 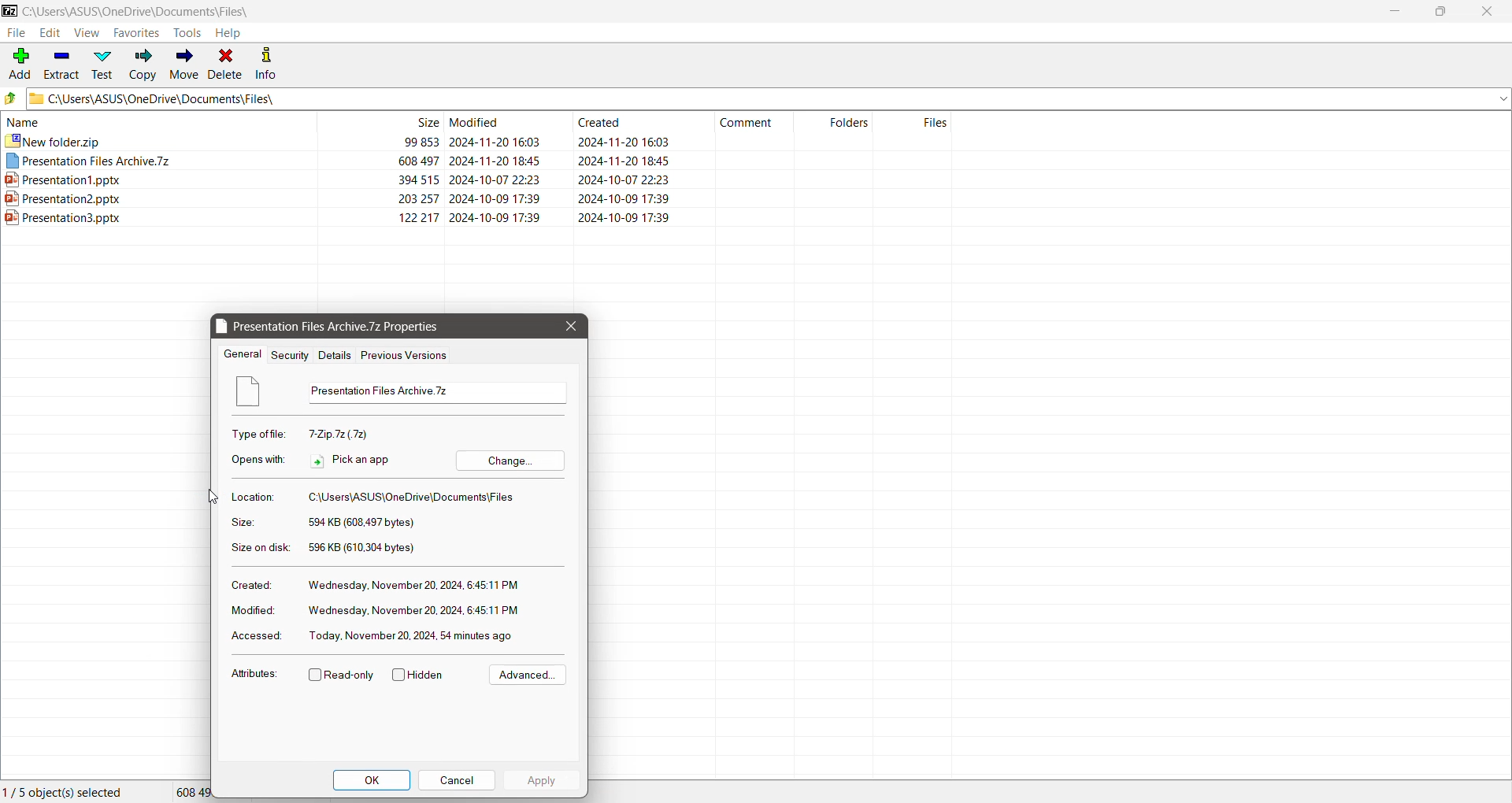 What do you see at coordinates (472, 177) in the screenshot?
I see `ppt1` at bounding box center [472, 177].